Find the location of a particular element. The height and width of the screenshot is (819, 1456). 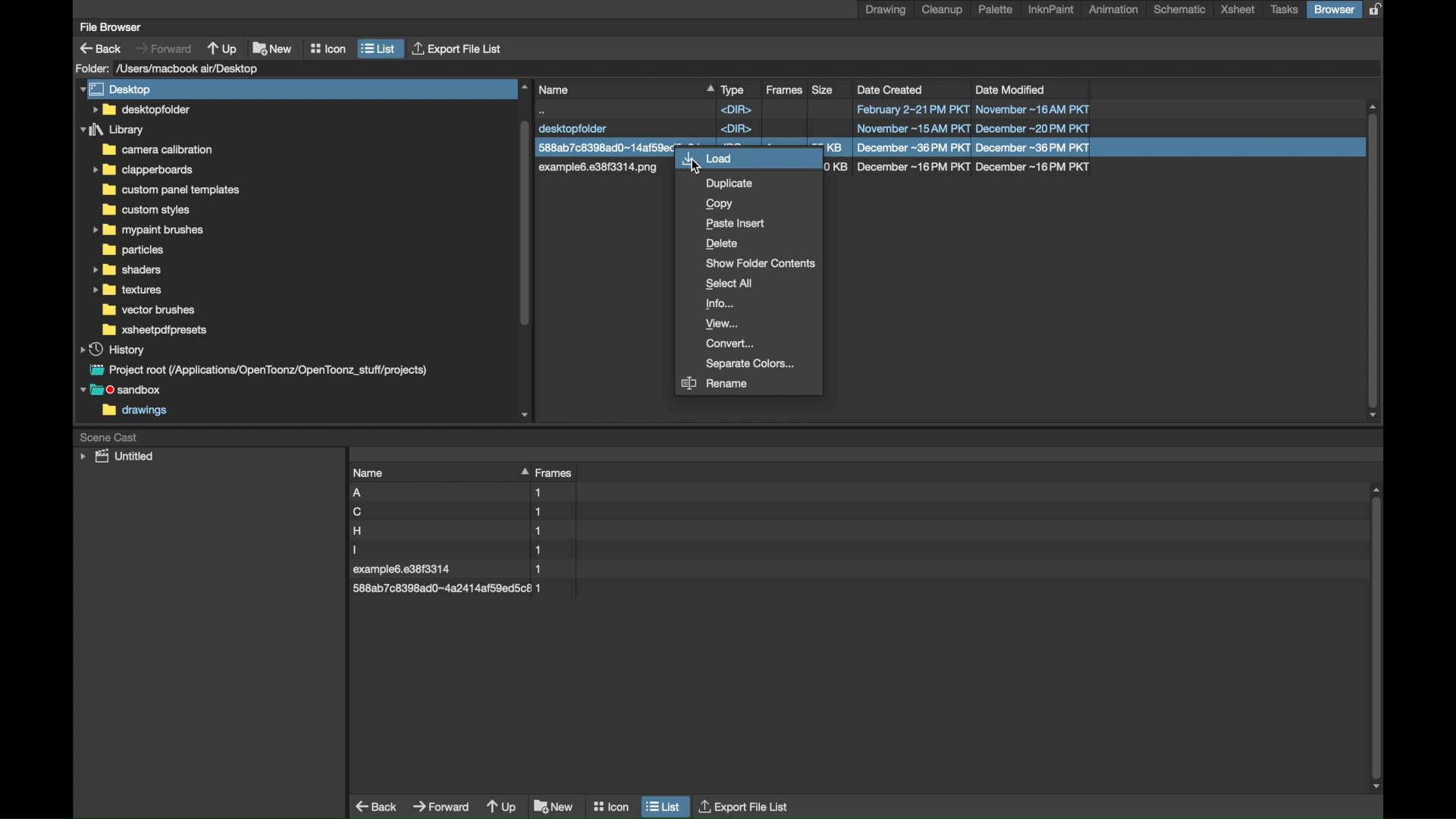

view is located at coordinates (723, 325).